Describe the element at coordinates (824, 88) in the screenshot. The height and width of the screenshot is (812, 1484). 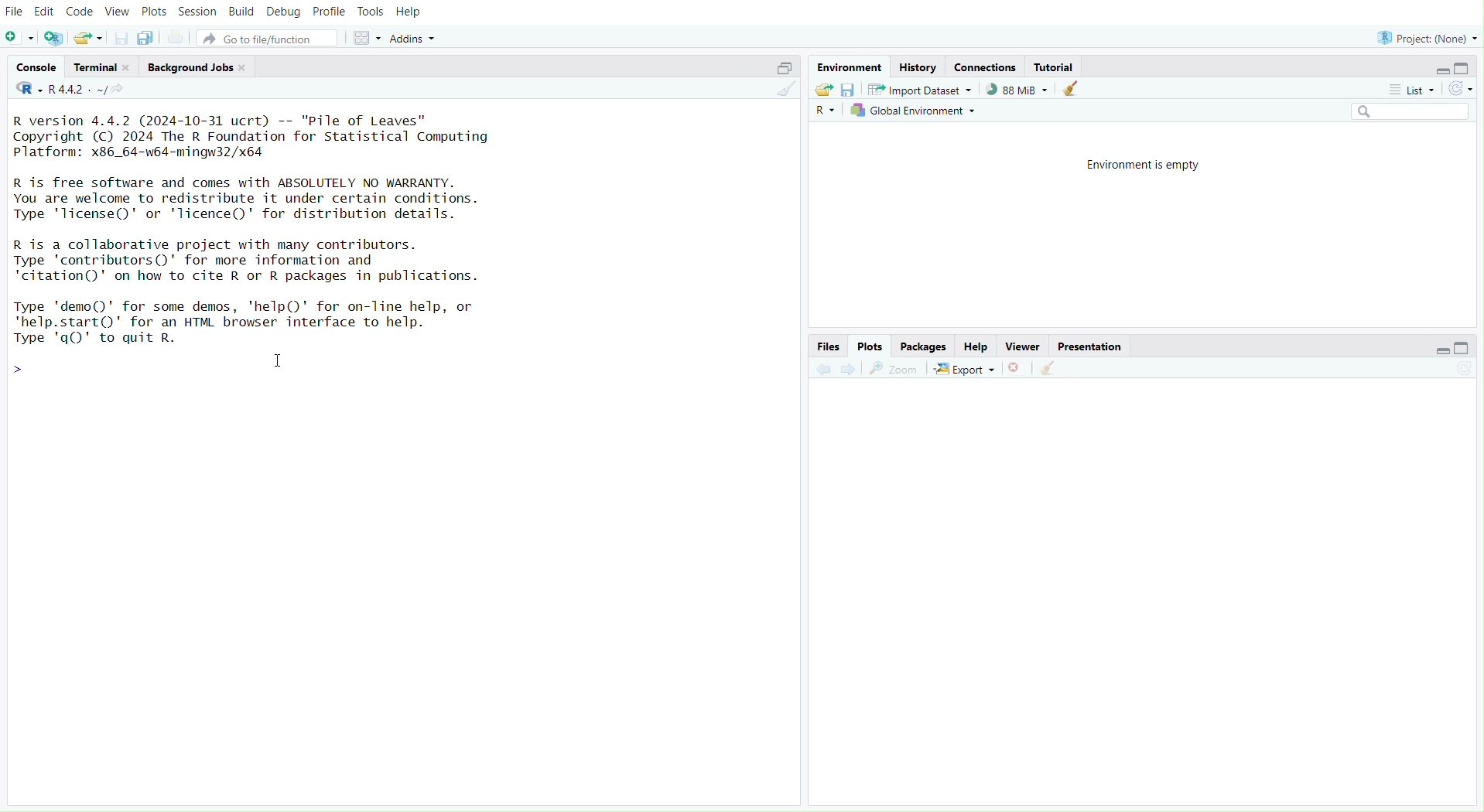
I see `Load workspace` at that location.